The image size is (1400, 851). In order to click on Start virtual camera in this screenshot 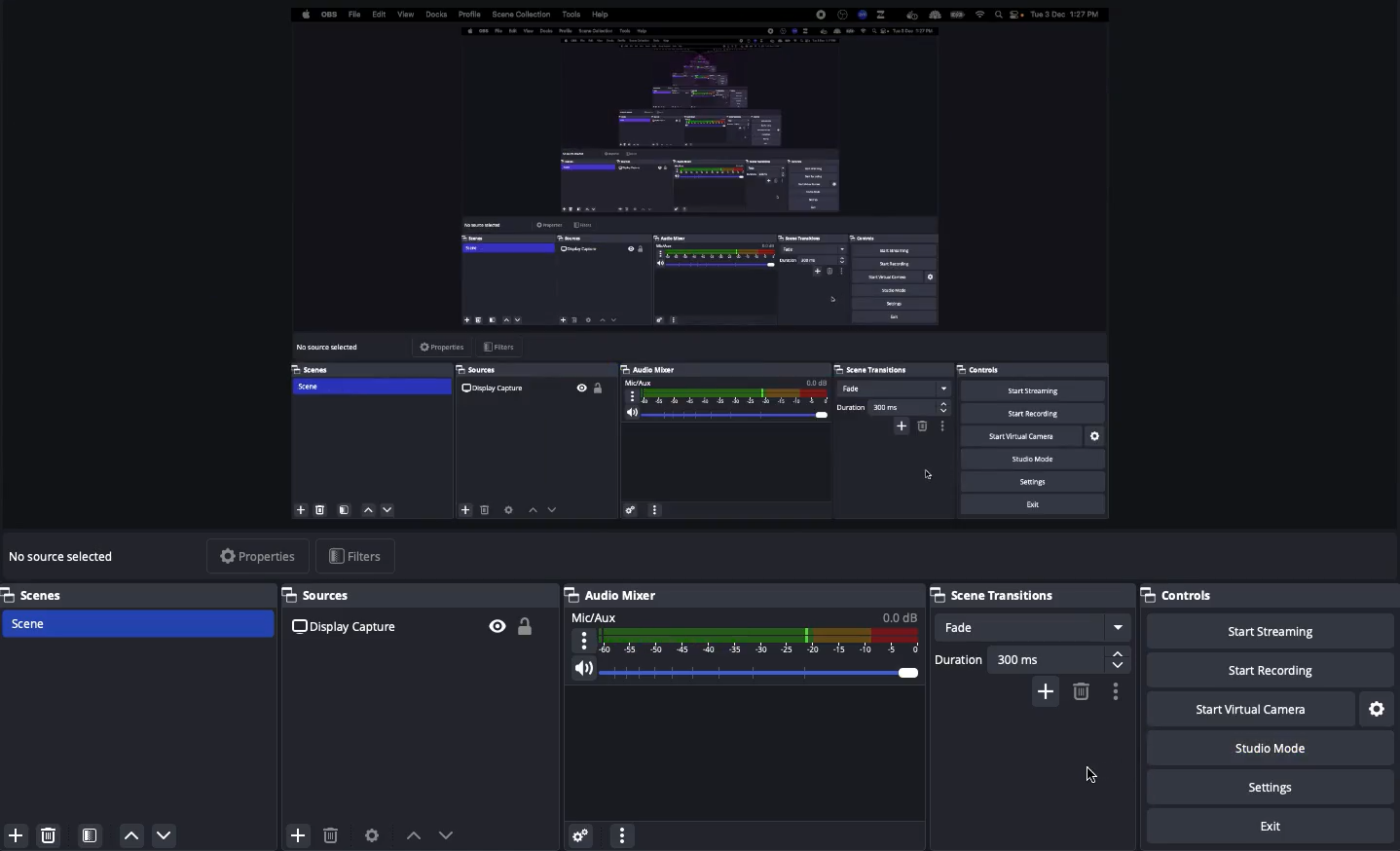, I will do `click(1253, 709)`.